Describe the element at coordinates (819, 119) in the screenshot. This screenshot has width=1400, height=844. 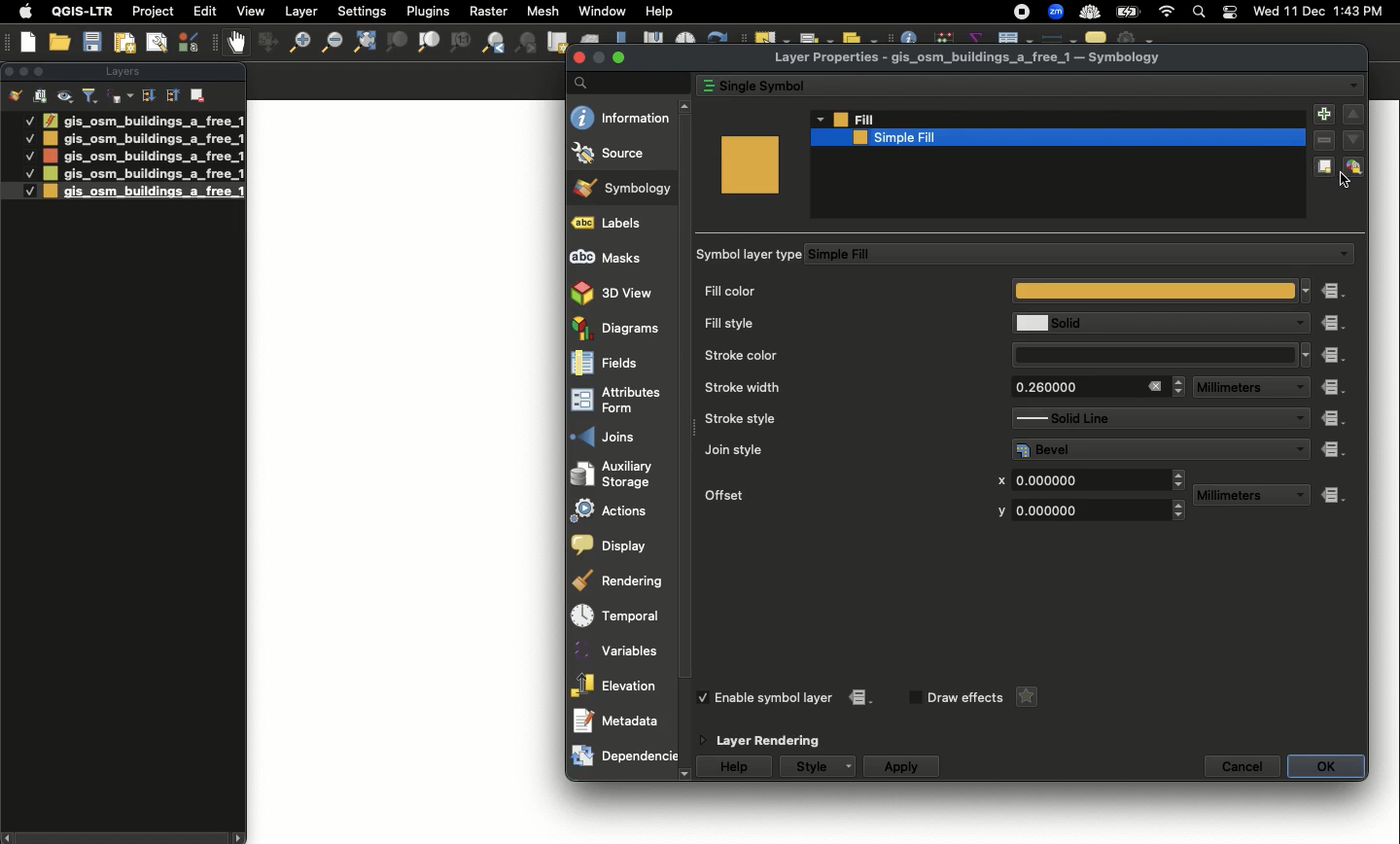
I see `Drop down` at that location.